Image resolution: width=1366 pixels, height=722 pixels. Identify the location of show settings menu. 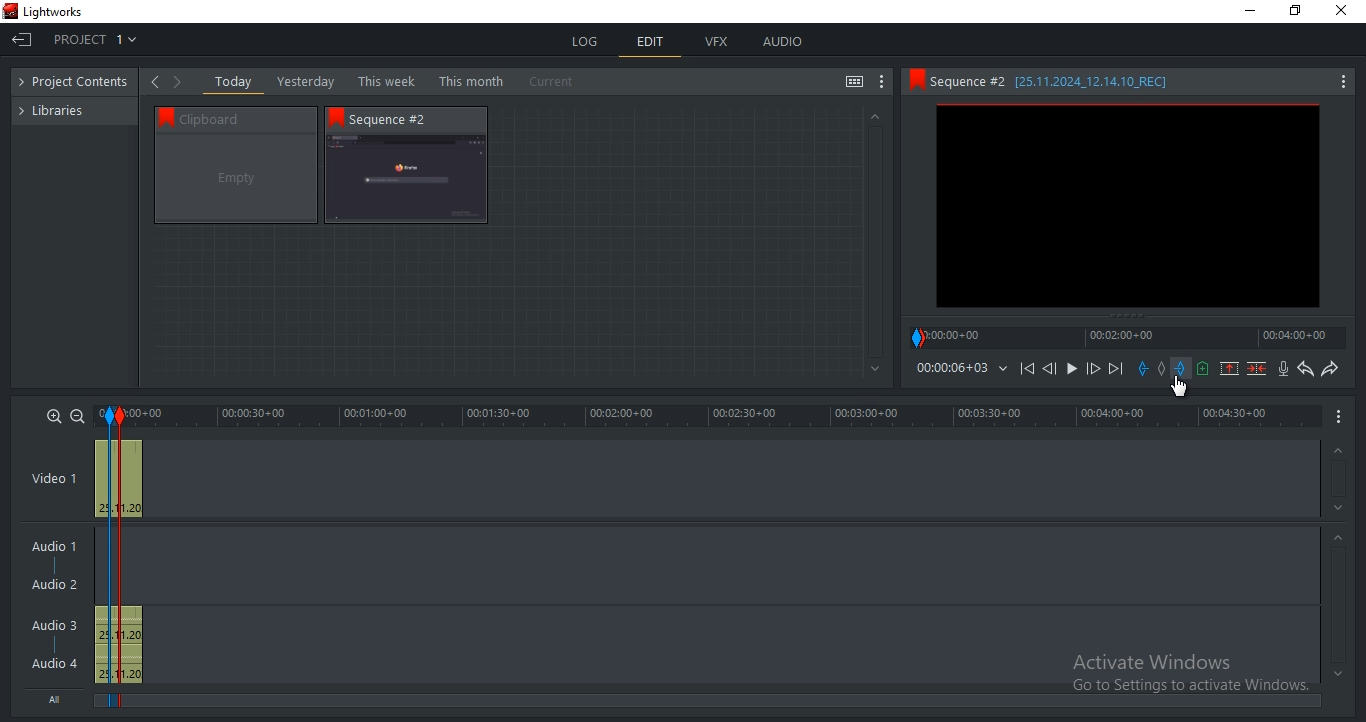
(882, 82).